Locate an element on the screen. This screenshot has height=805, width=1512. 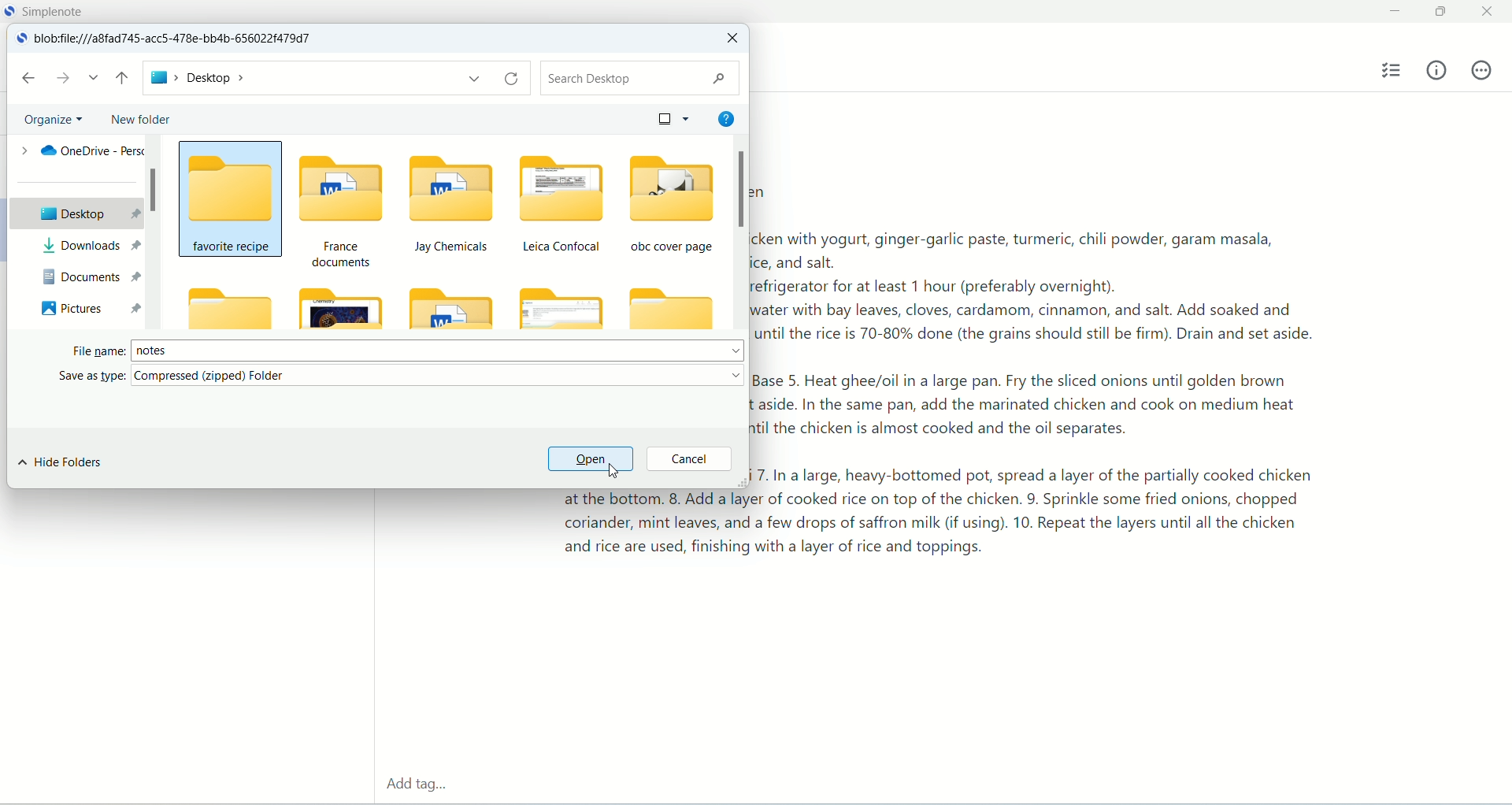
folder is located at coordinates (228, 308).